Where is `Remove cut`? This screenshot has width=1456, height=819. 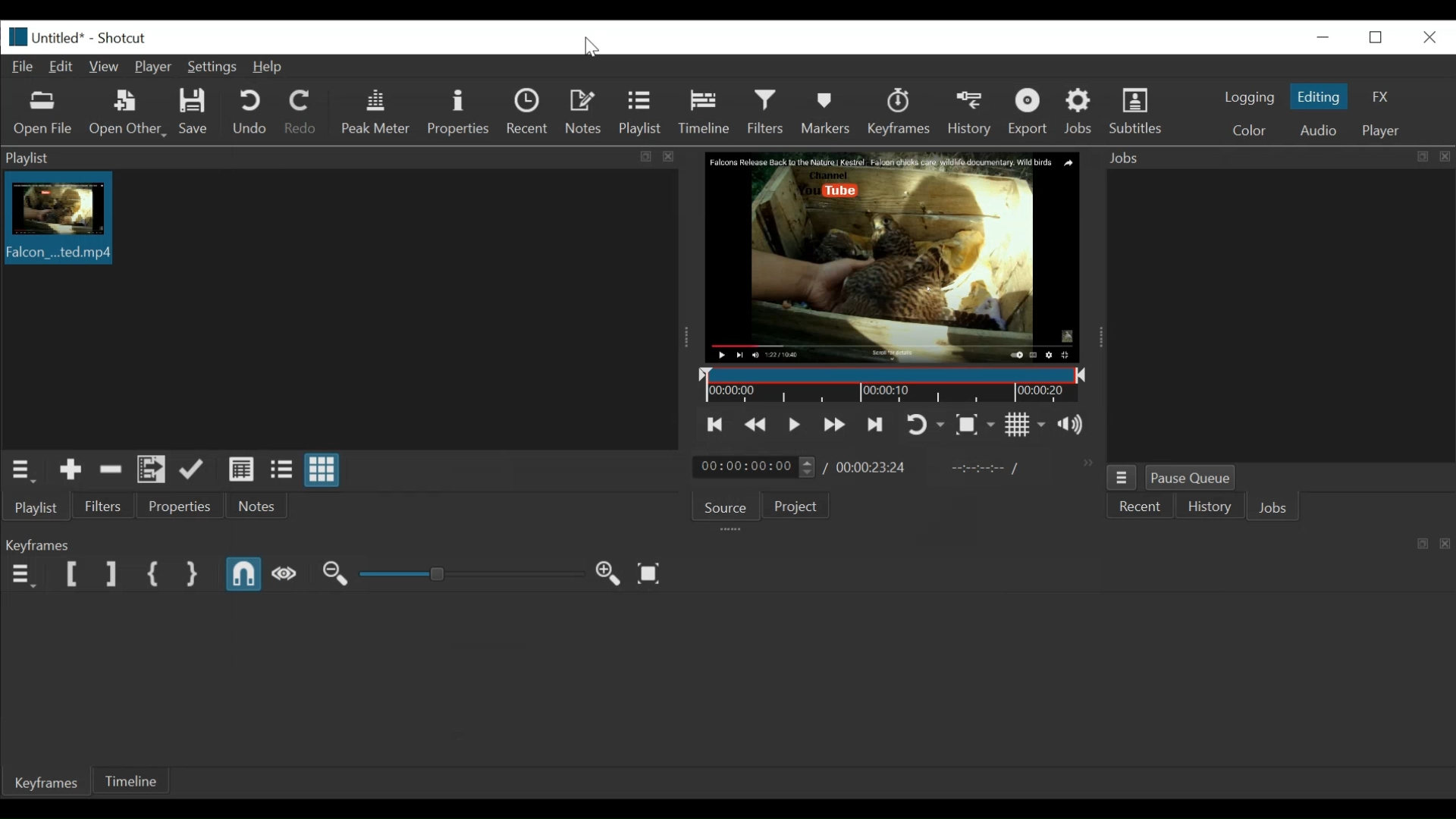
Remove cut is located at coordinates (111, 470).